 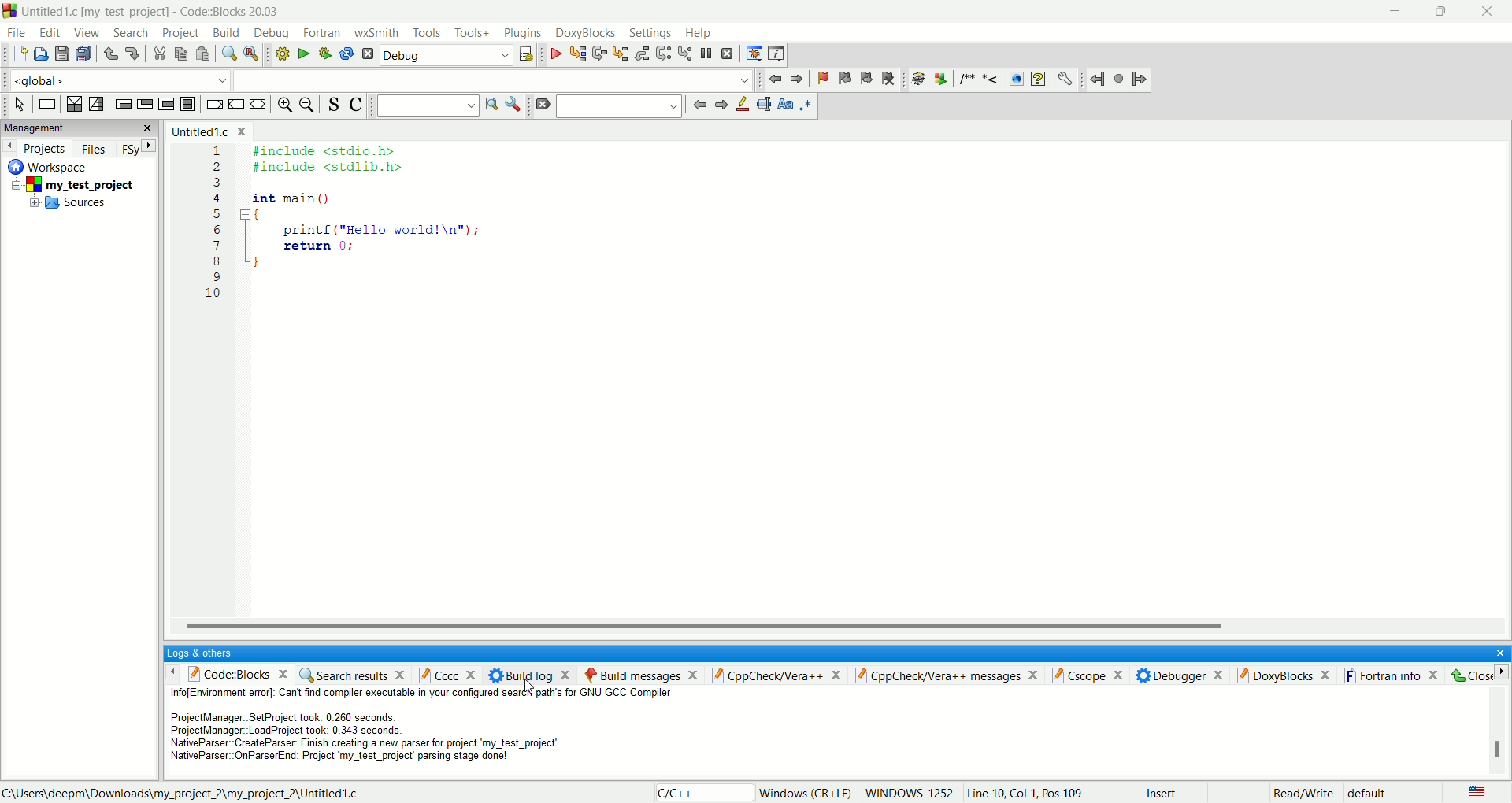 I want to click on HTML, so click(x=1015, y=80).